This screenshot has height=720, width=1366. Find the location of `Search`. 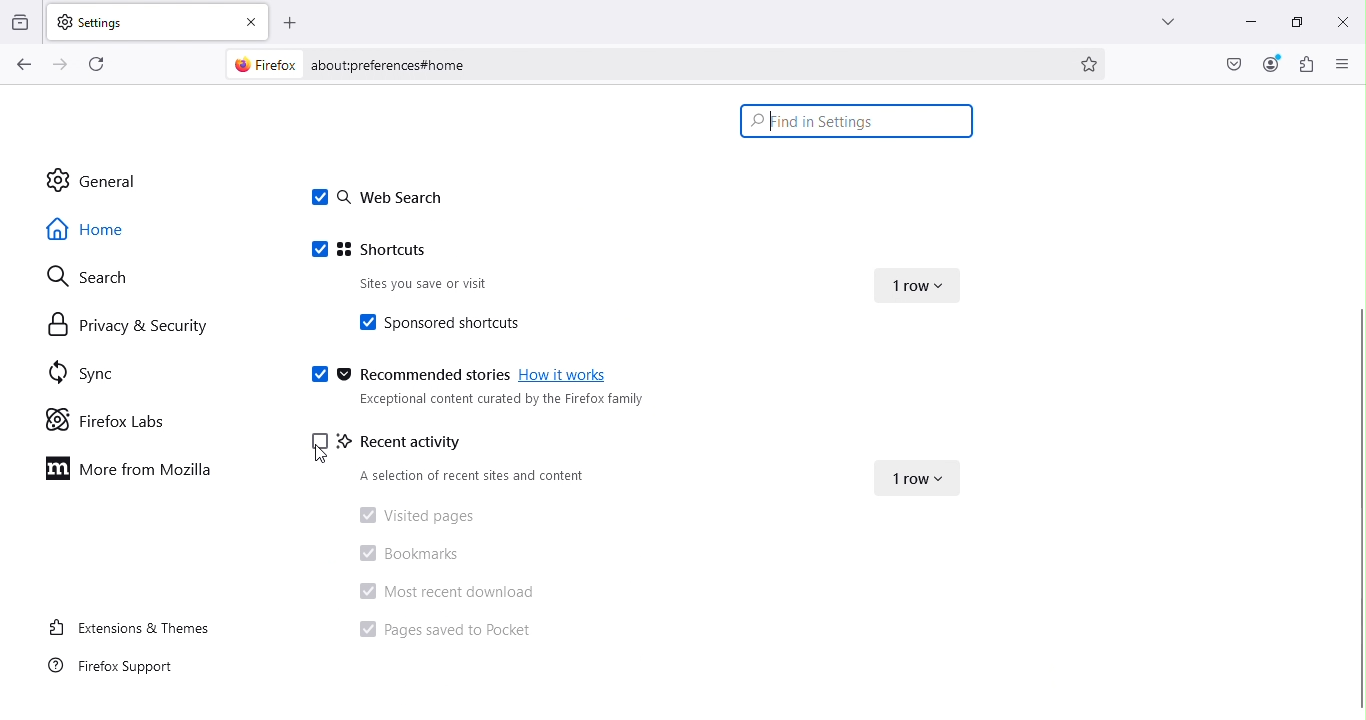

Search is located at coordinates (84, 275).